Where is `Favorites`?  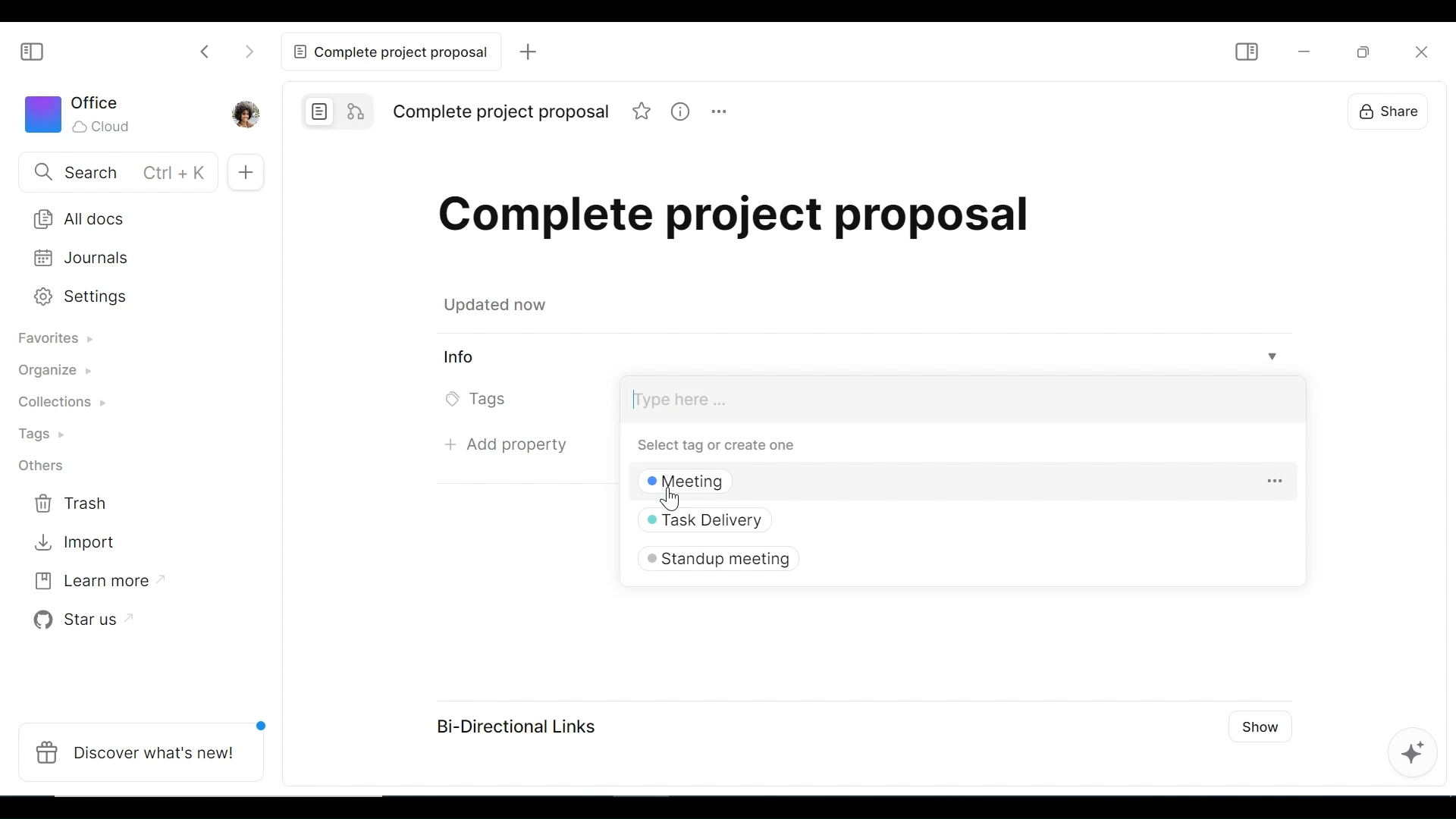
Favorites is located at coordinates (66, 341).